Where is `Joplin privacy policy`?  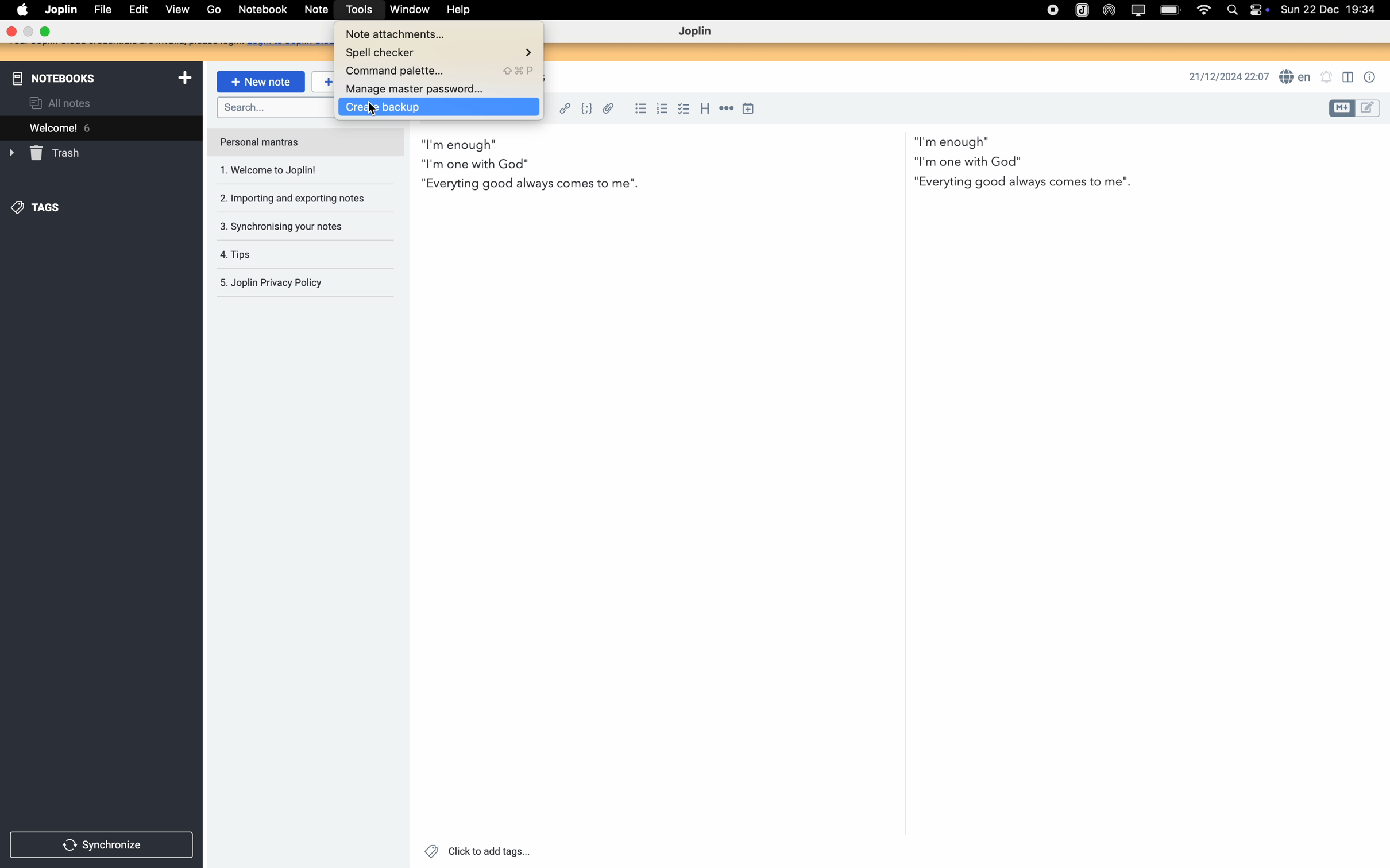
Joplin privacy policy is located at coordinates (273, 283).